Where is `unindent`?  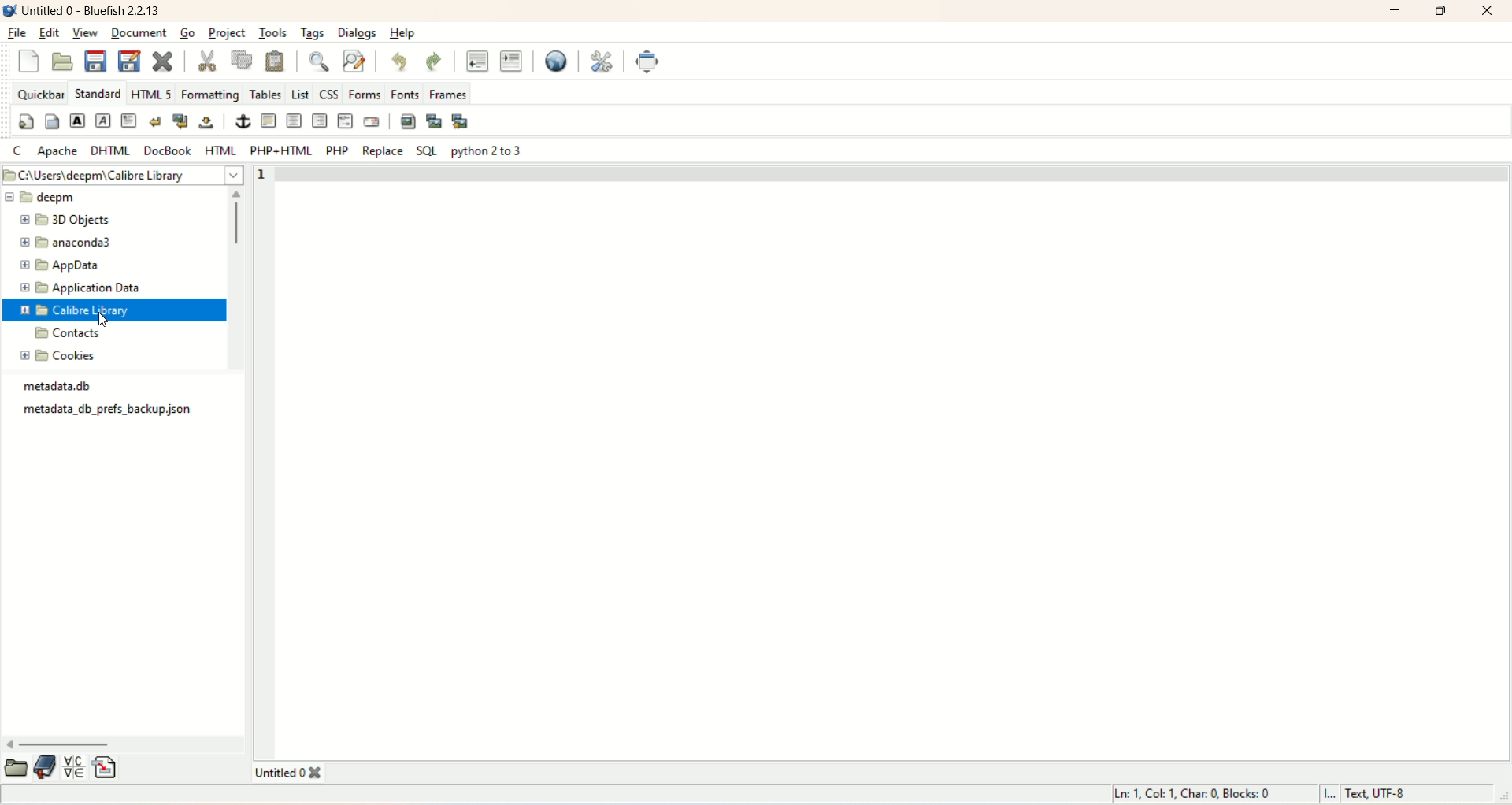
unindent is located at coordinates (476, 60).